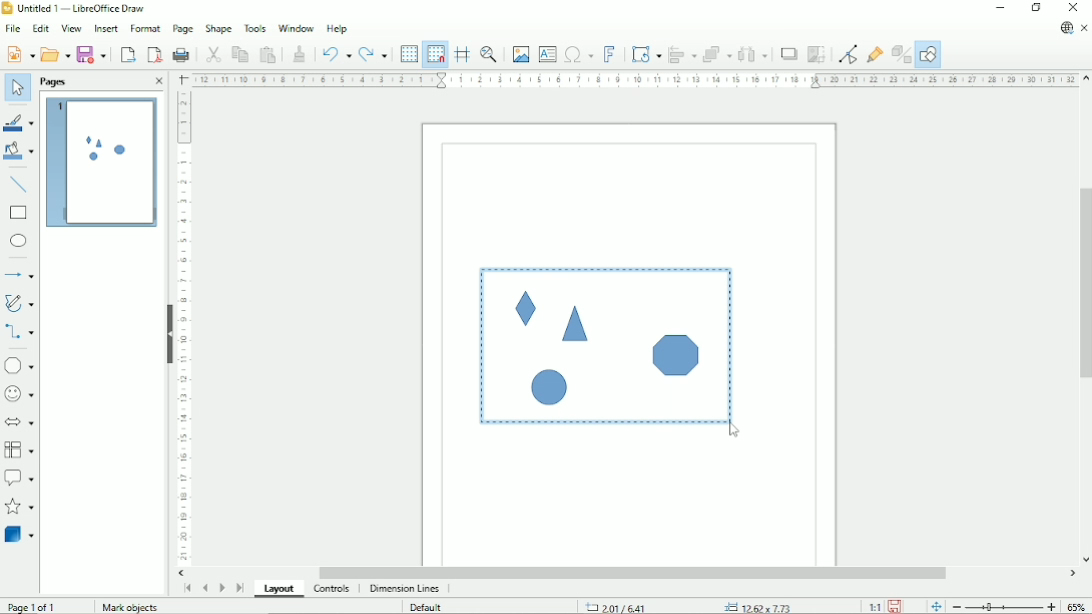 Image resolution: width=1092 pixels, height=614 pixels. I want to click on Edit, so click(40, 29).